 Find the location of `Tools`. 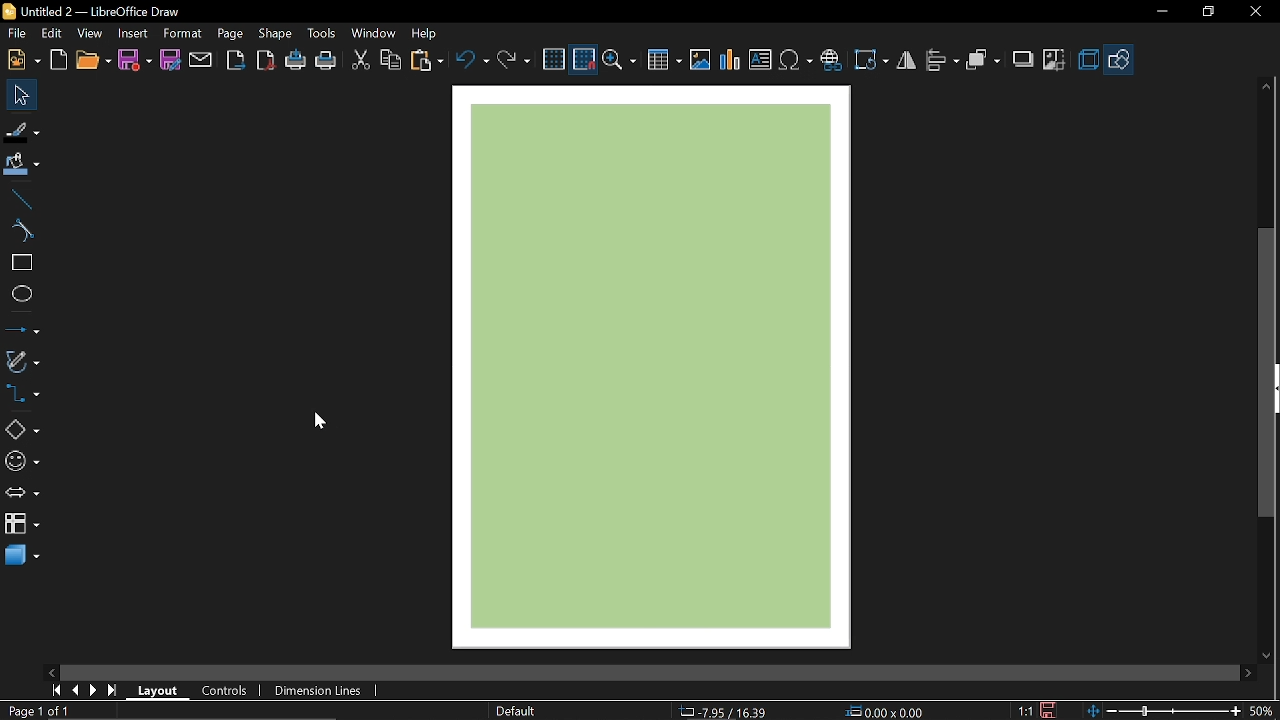

Tools is located at coordinates (323, 34).